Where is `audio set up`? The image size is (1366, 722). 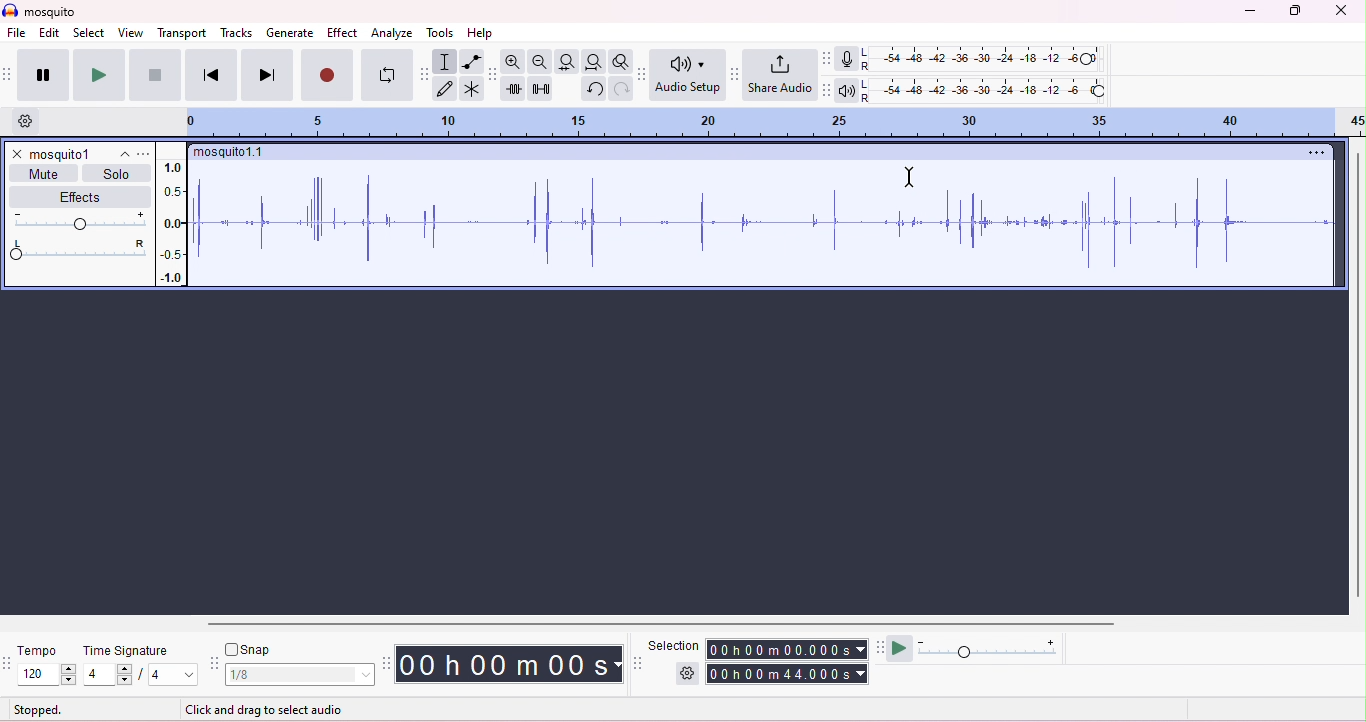 audio set up is located at coordinates (688, 75).